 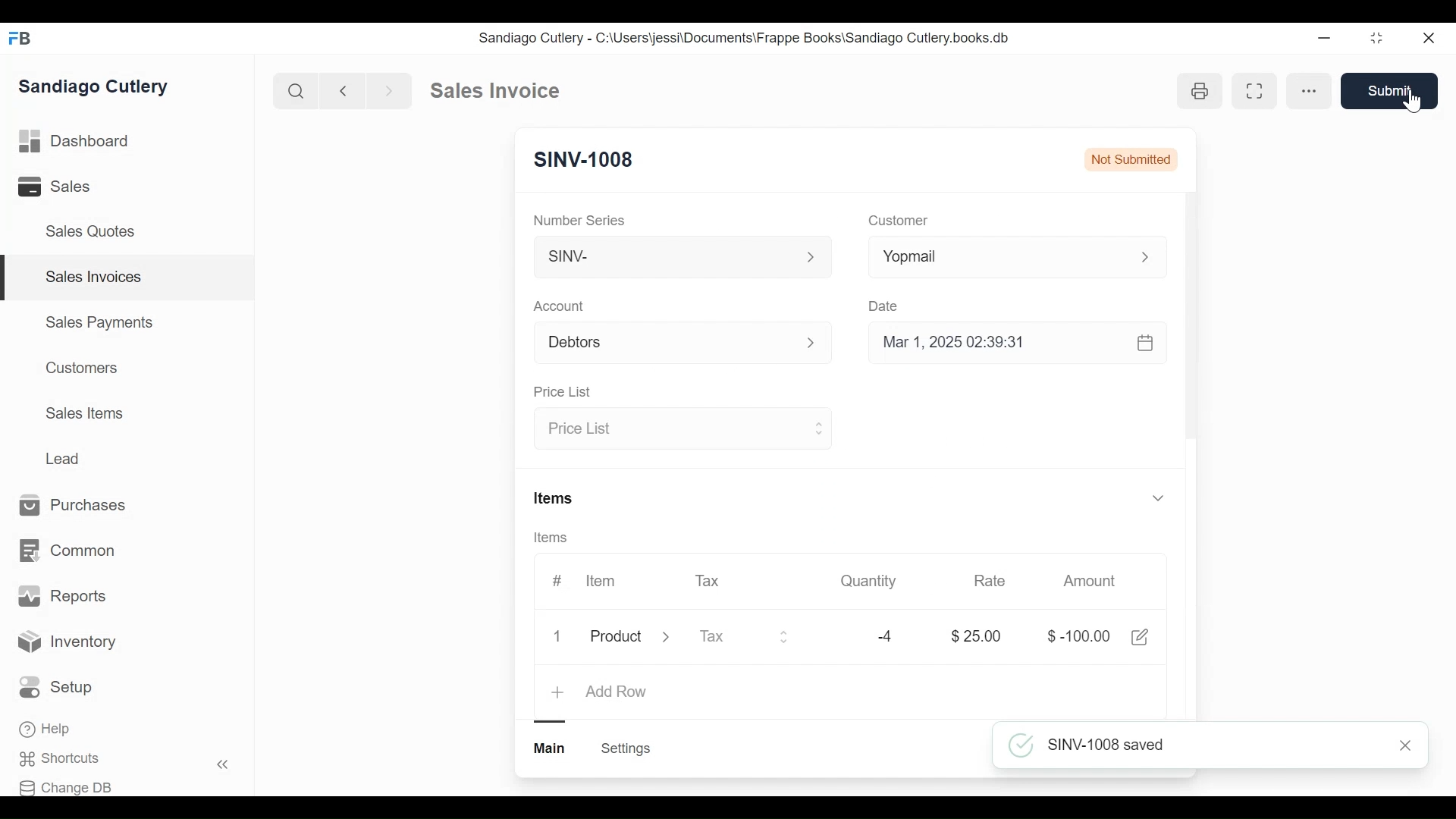 I want to click on Previous, so click(x=344, y=90).